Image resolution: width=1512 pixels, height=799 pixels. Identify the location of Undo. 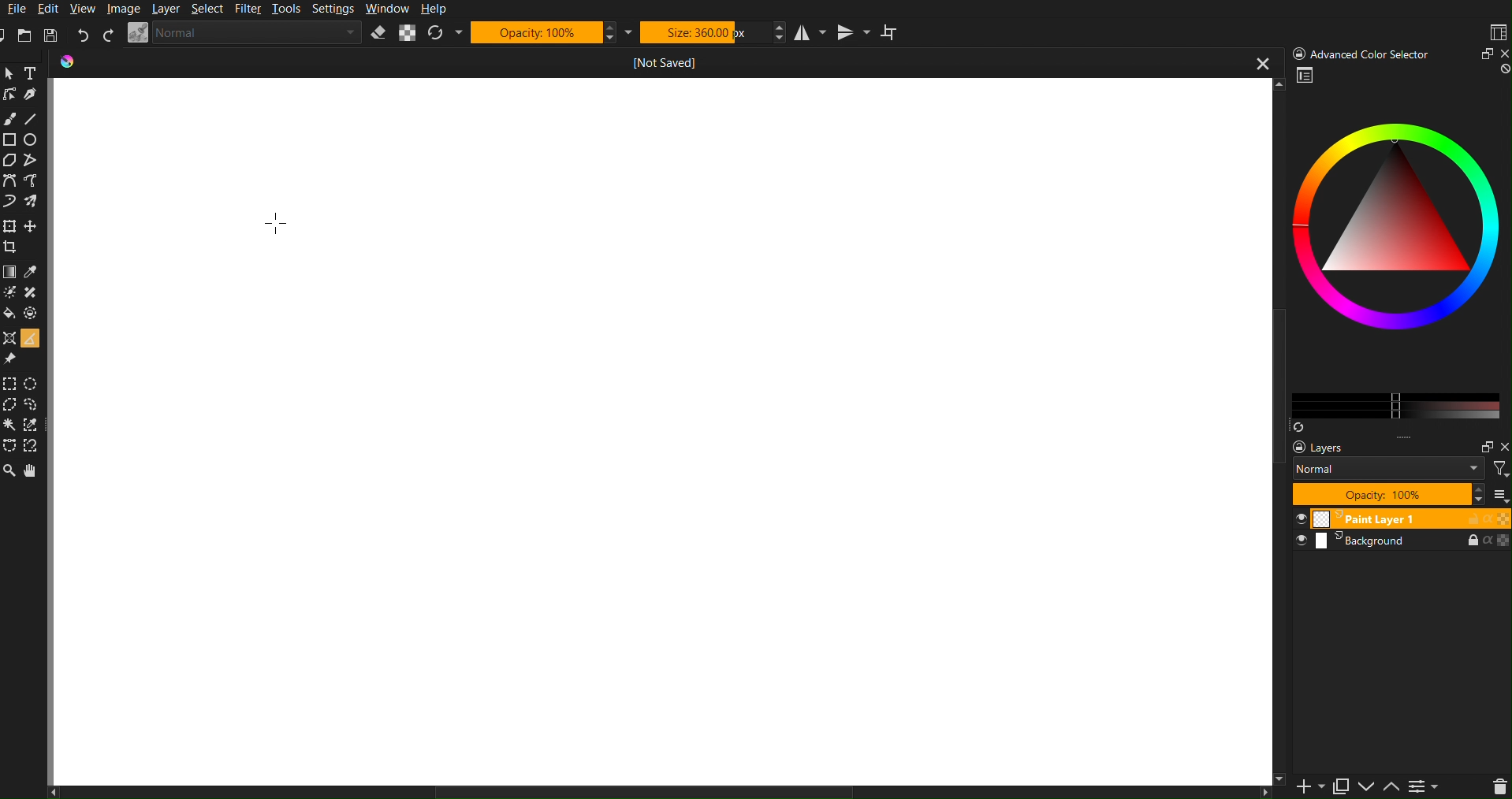
(83, 35).